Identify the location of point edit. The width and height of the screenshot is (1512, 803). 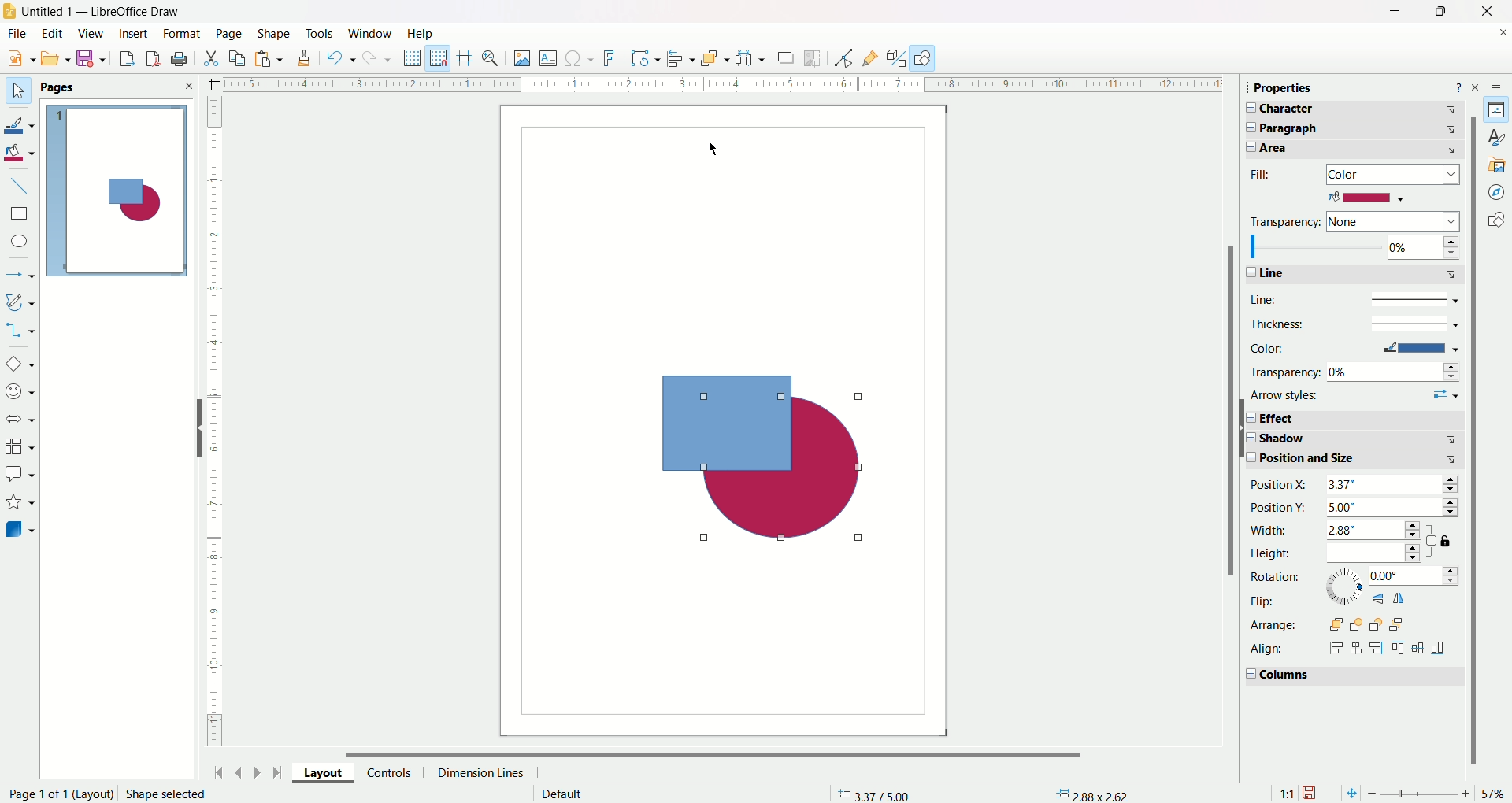
(839, 57).